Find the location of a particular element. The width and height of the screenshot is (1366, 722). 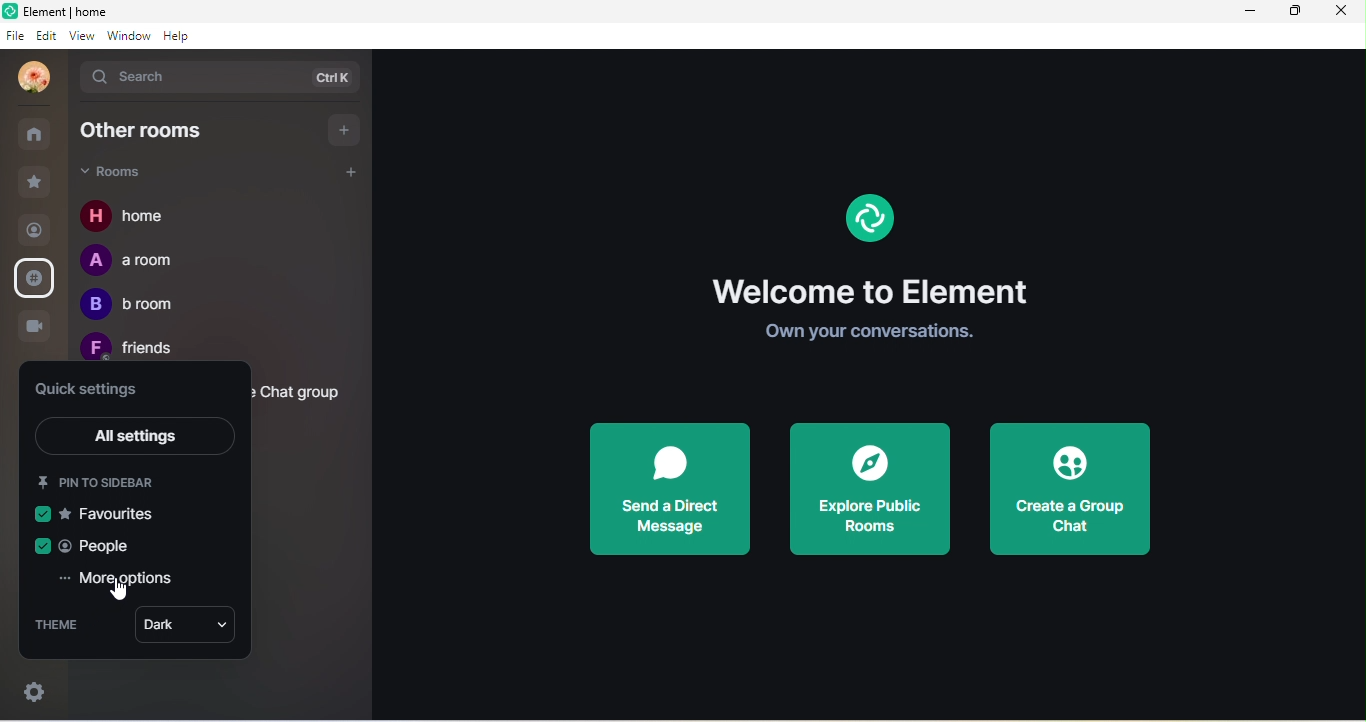

a room is located at coordinates (136, 260).